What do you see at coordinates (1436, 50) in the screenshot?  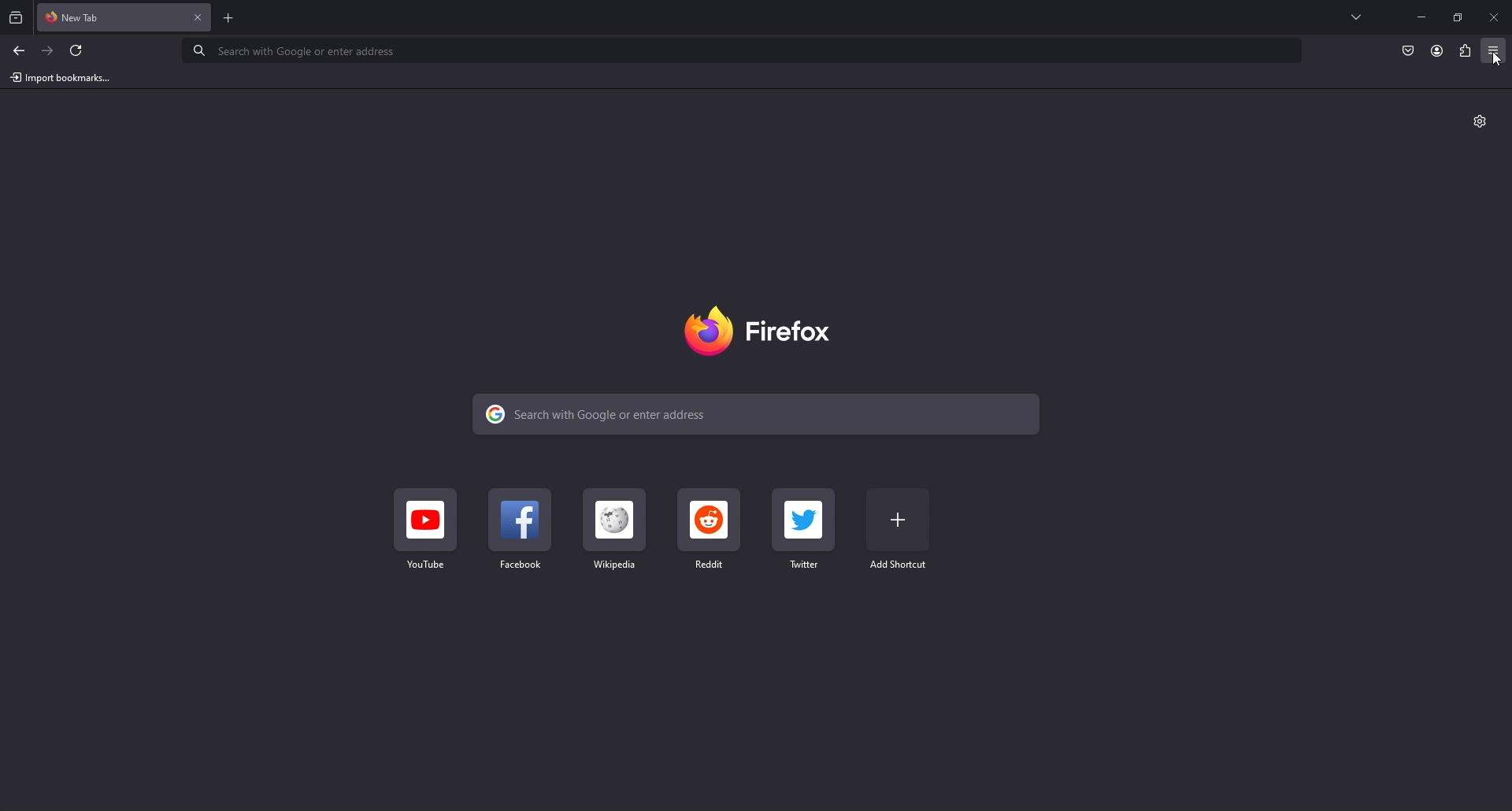 I see `profile` at bounding box center [1436, 50].